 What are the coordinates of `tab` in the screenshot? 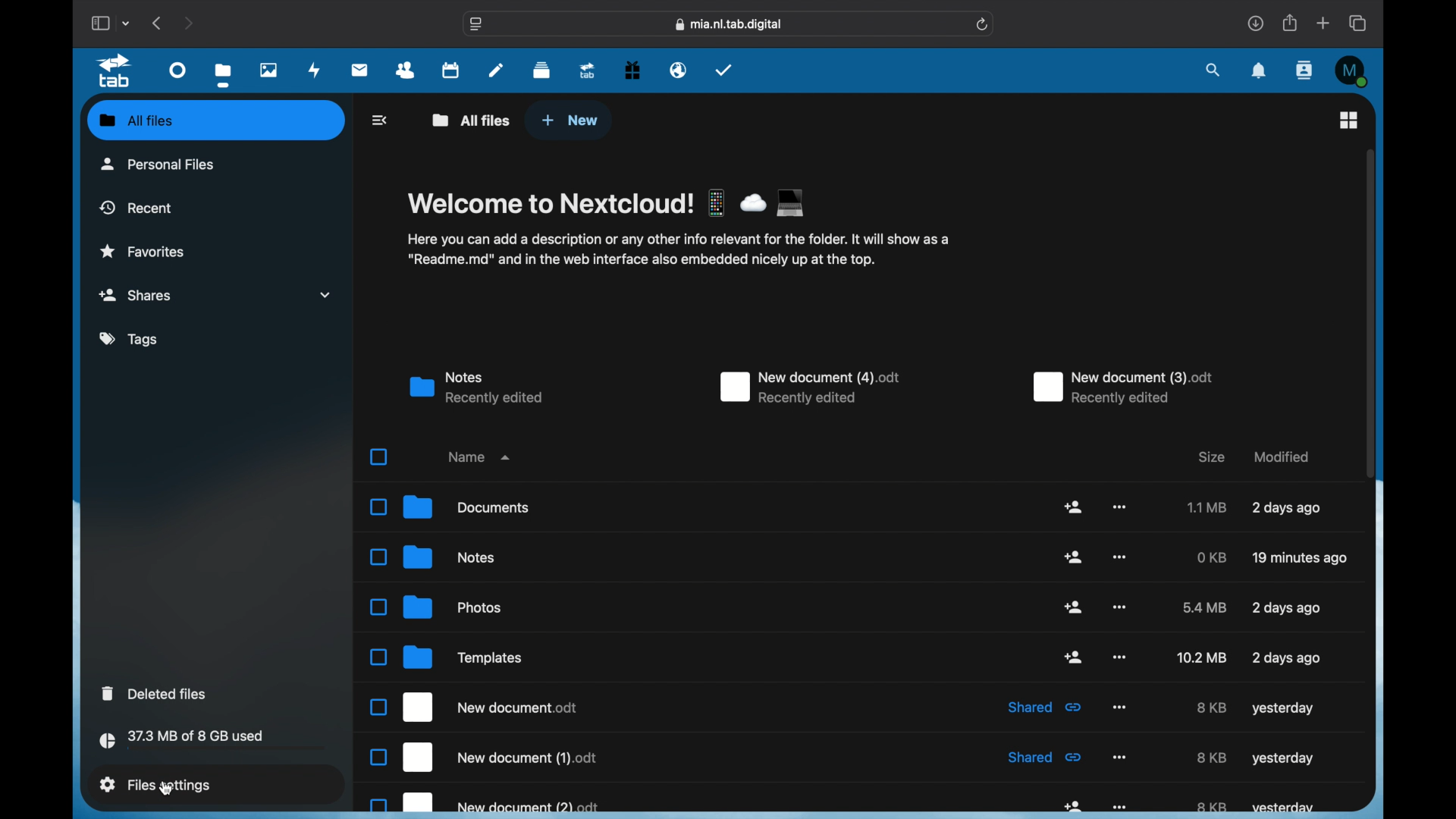 It's located at (117, 71).